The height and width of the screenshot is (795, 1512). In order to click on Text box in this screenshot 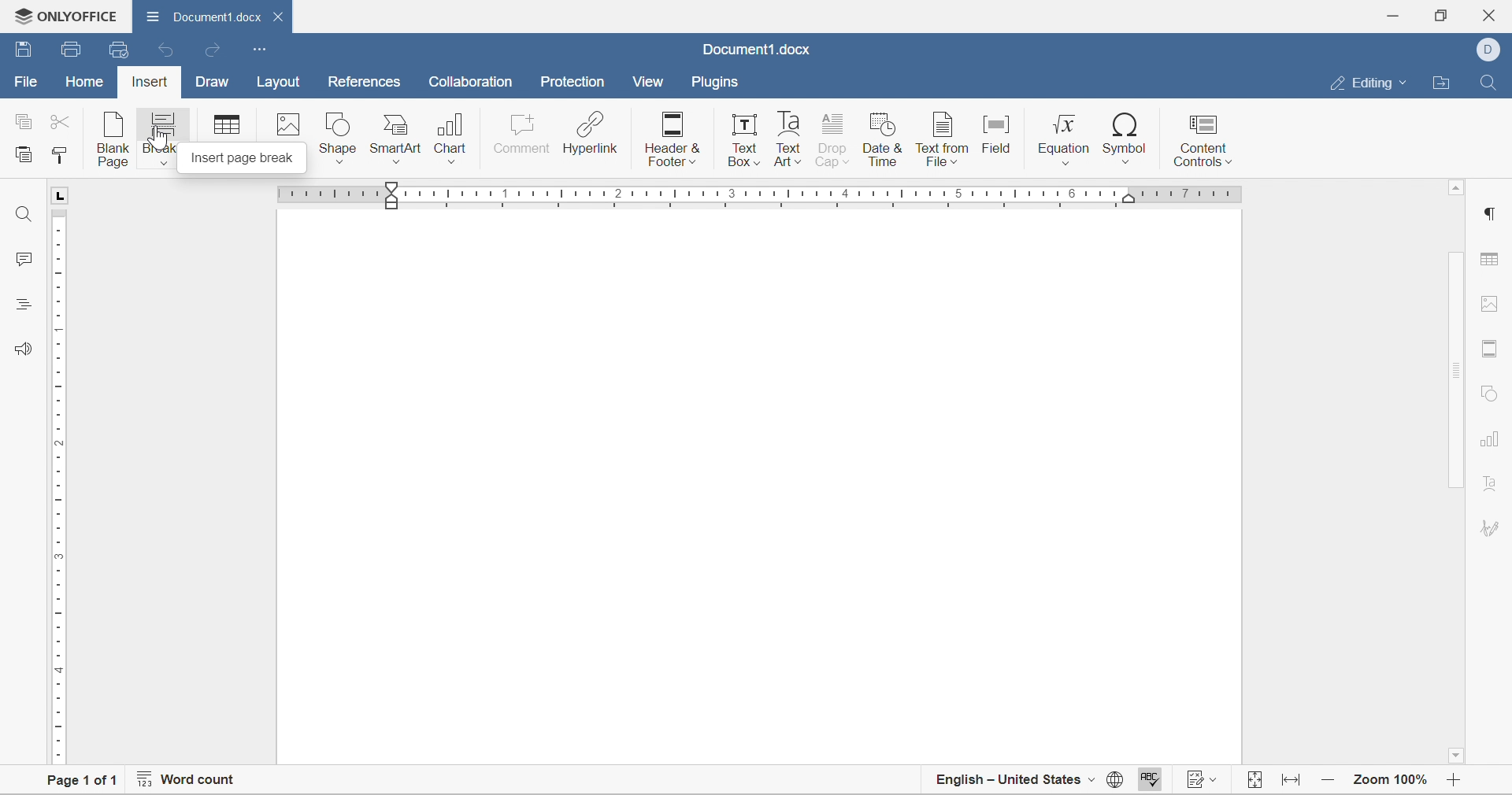, I will do `click(745, 141)`.